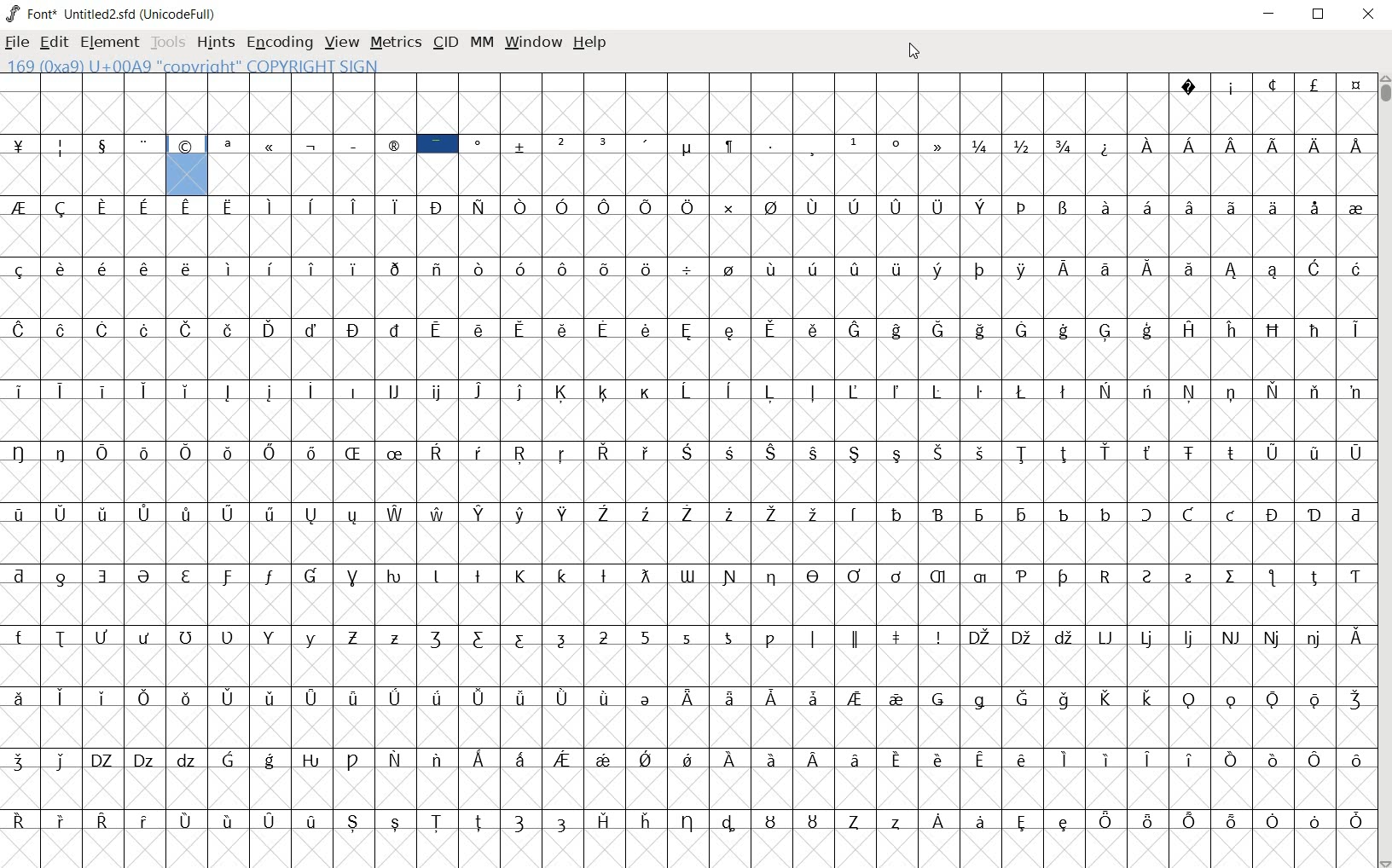 This screenshot has width=1392, height=868. I want to click on glyphs, so click(687, 533).